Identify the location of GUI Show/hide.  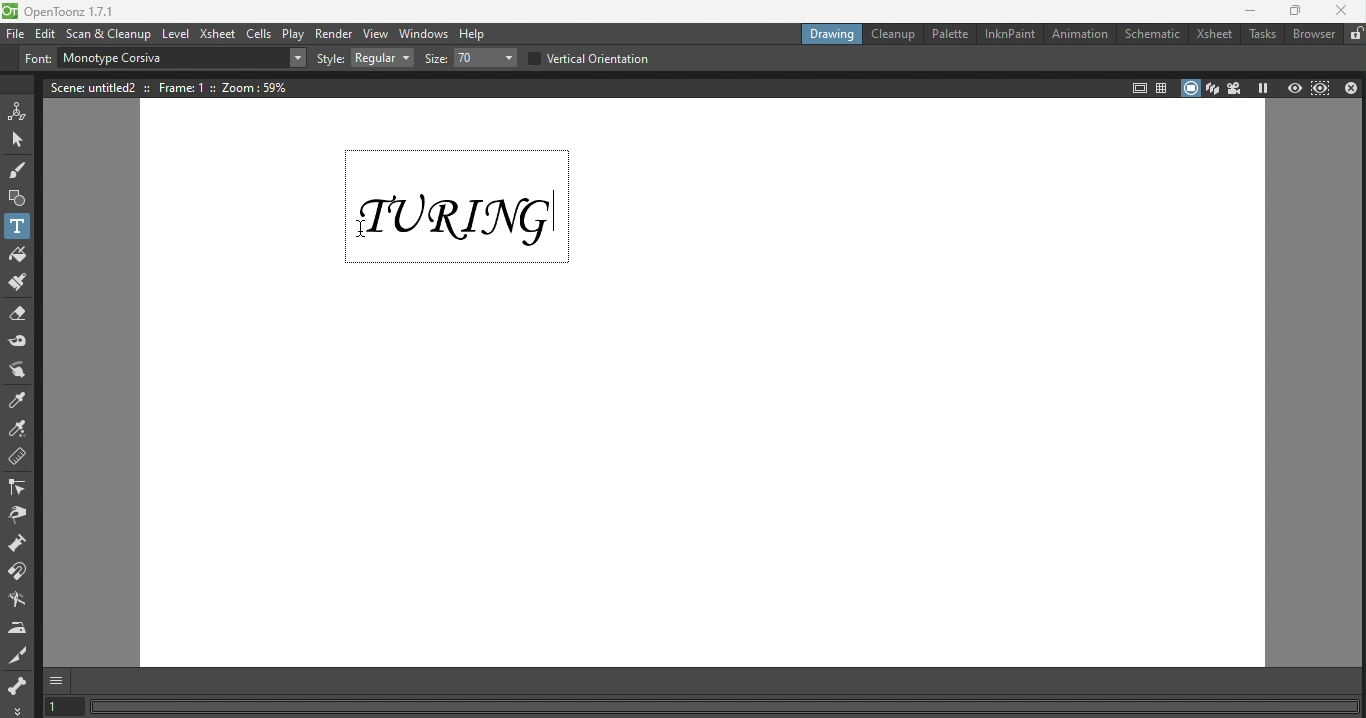
(57, 679).